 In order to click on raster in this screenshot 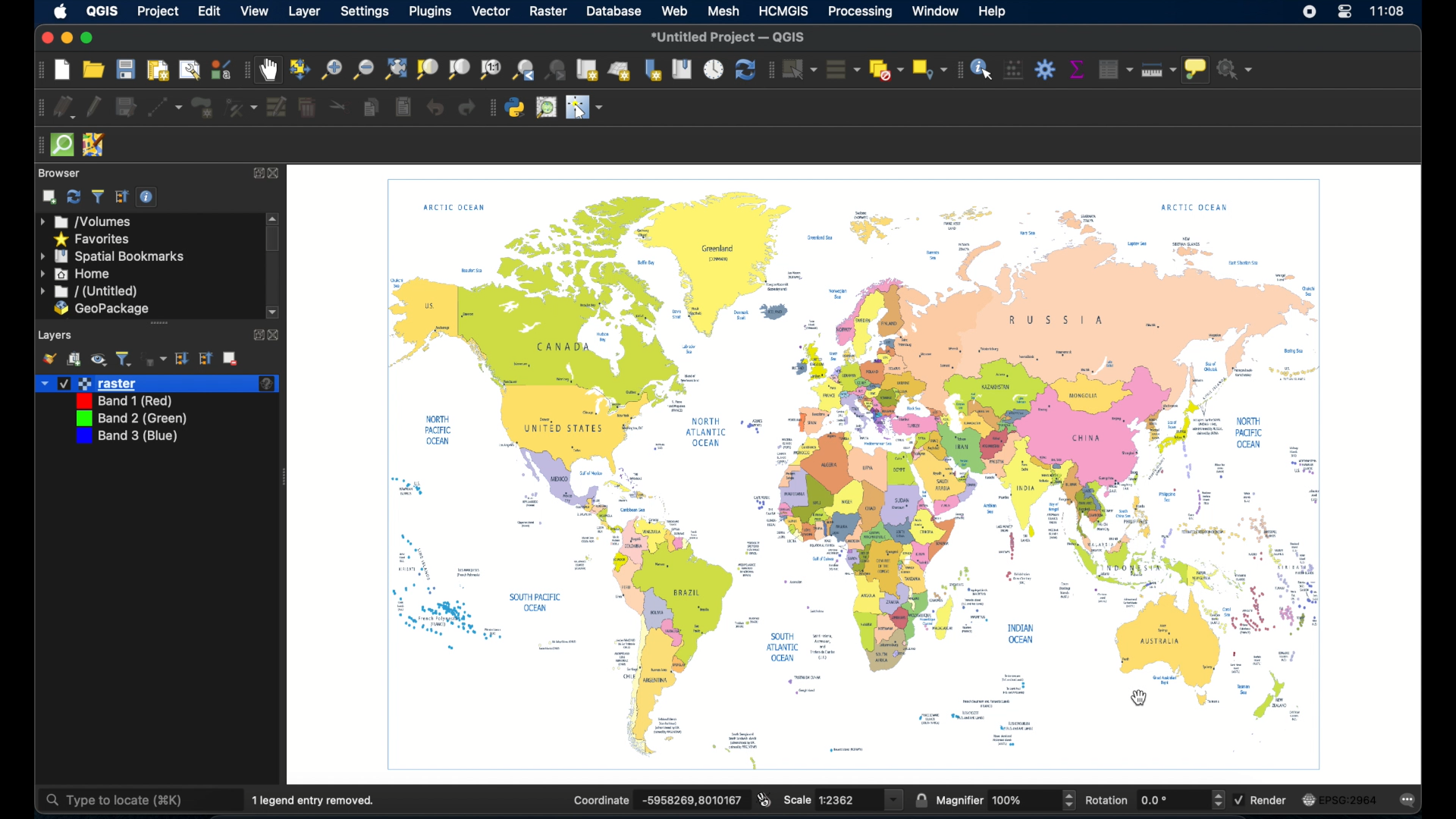, I will do `click(108, 383)`.